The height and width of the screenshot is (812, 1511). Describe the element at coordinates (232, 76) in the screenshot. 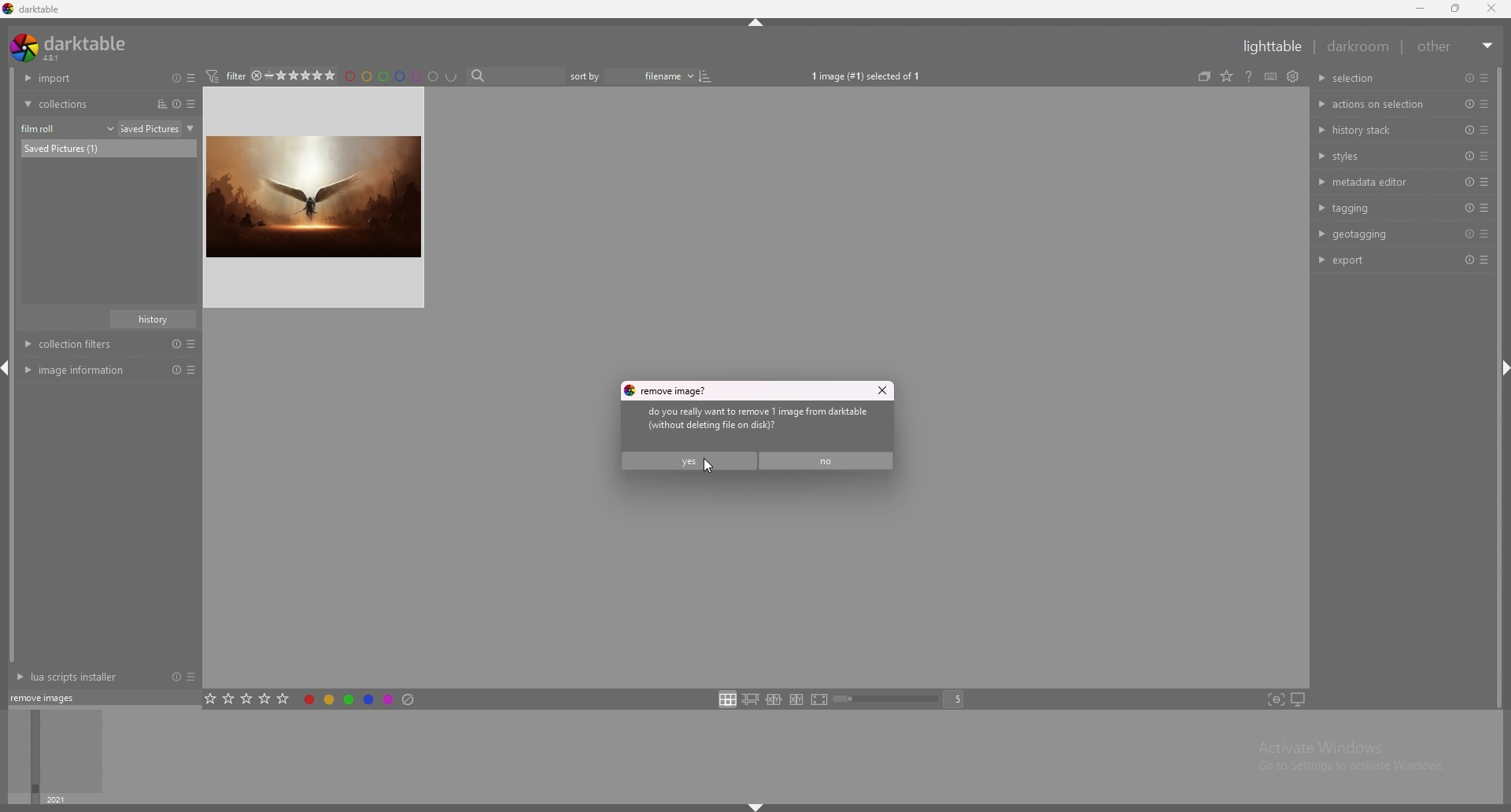

I see `filter` at that location.